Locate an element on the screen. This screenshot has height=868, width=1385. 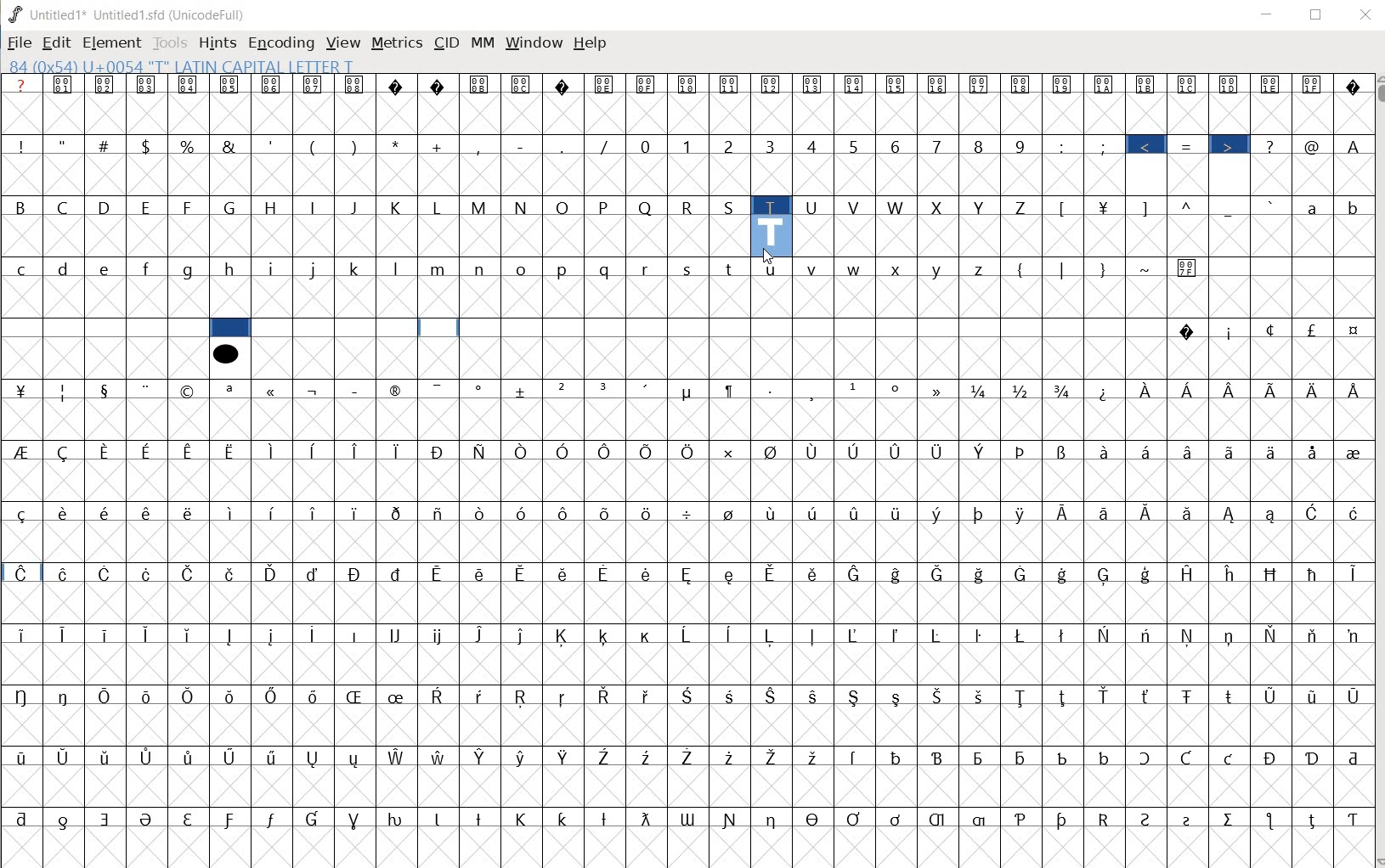
Symbol is located at coordinates (1232, 391).